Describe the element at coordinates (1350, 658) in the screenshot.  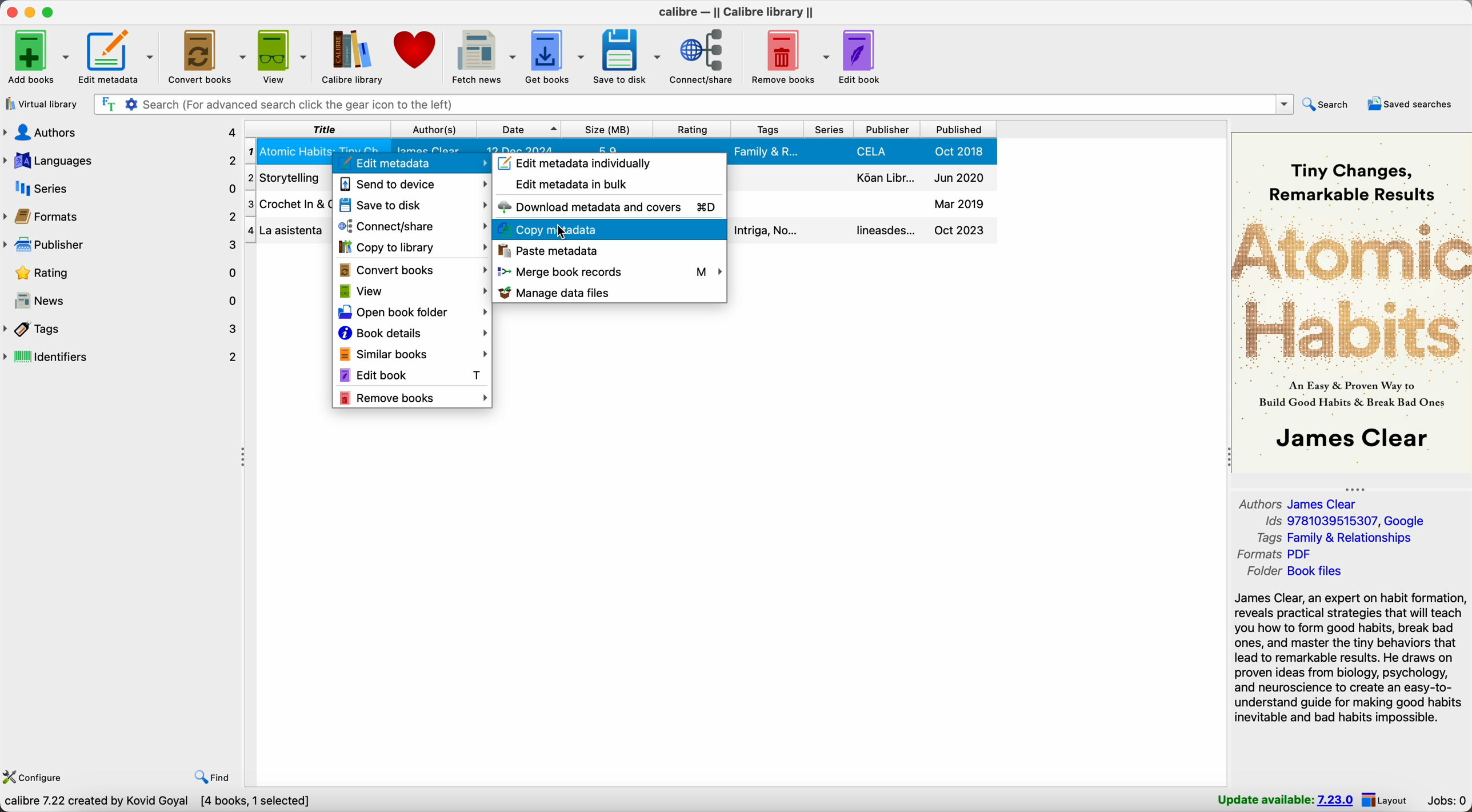
I see `synopsis` at that location.